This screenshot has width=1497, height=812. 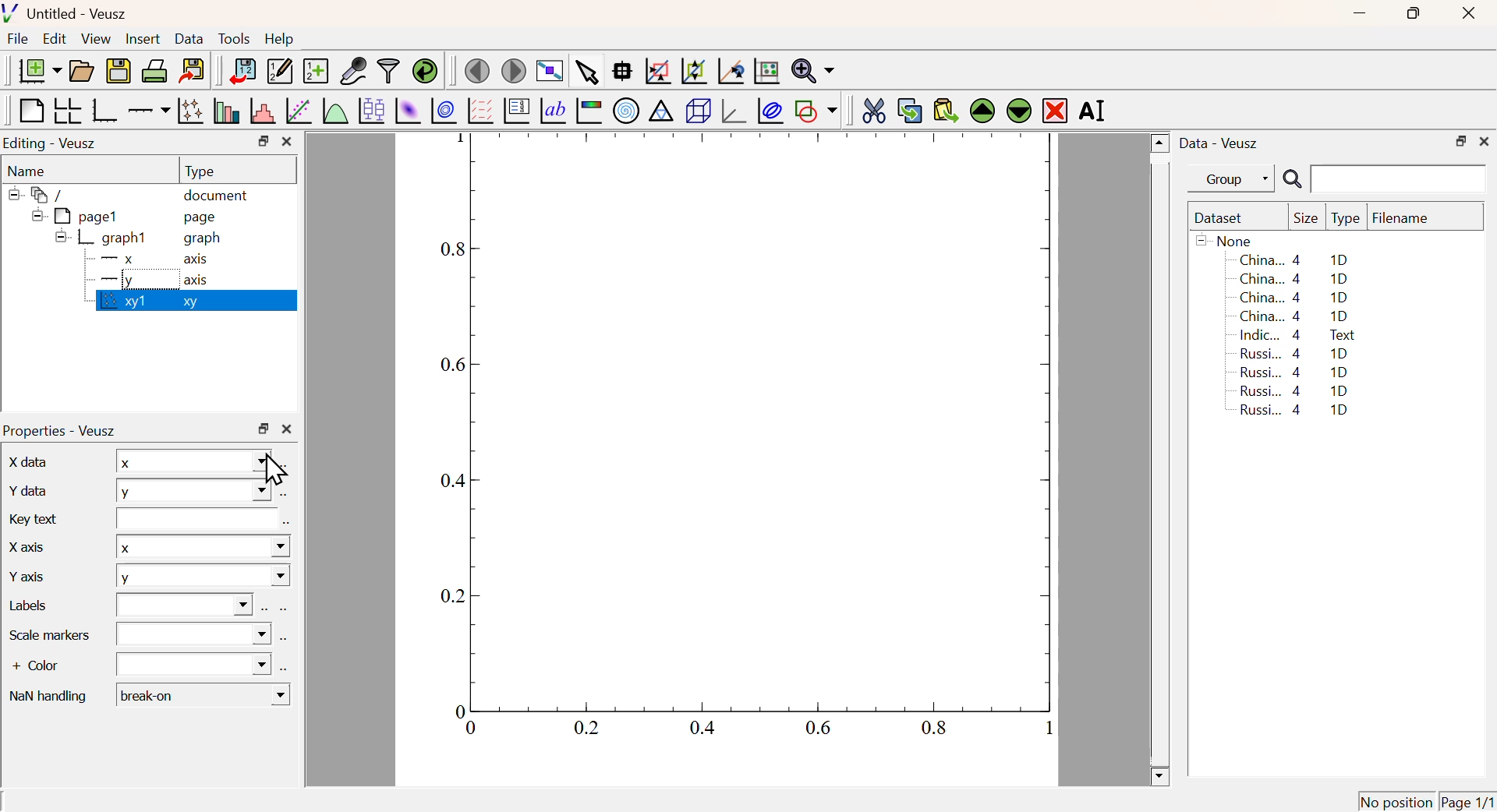 What do you see at coordinates (286, 466) in the screenshot?
I see `Select using dataset Browser` at bounding box center [286, 466].